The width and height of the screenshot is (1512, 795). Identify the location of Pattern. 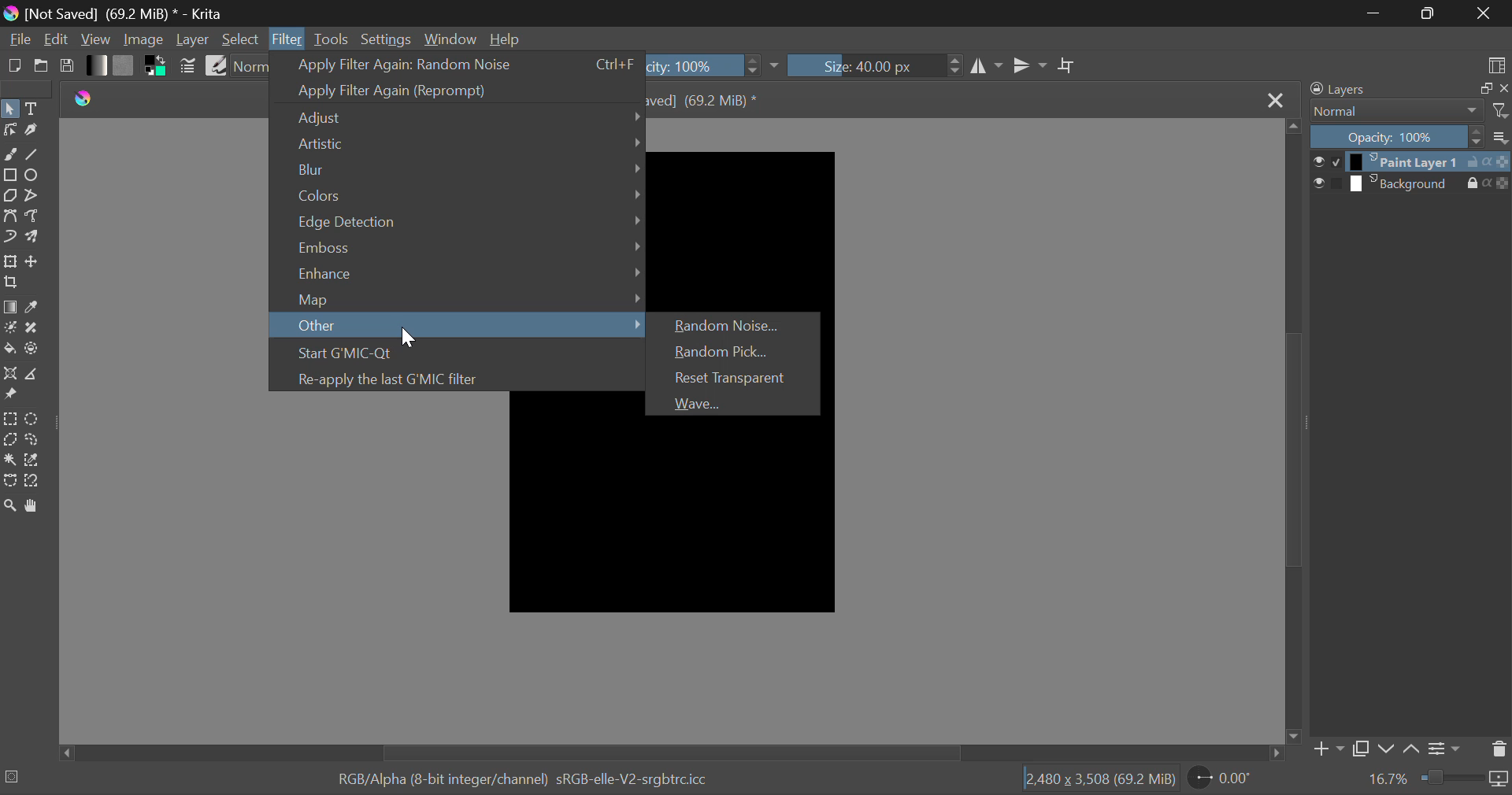
(126, 65).